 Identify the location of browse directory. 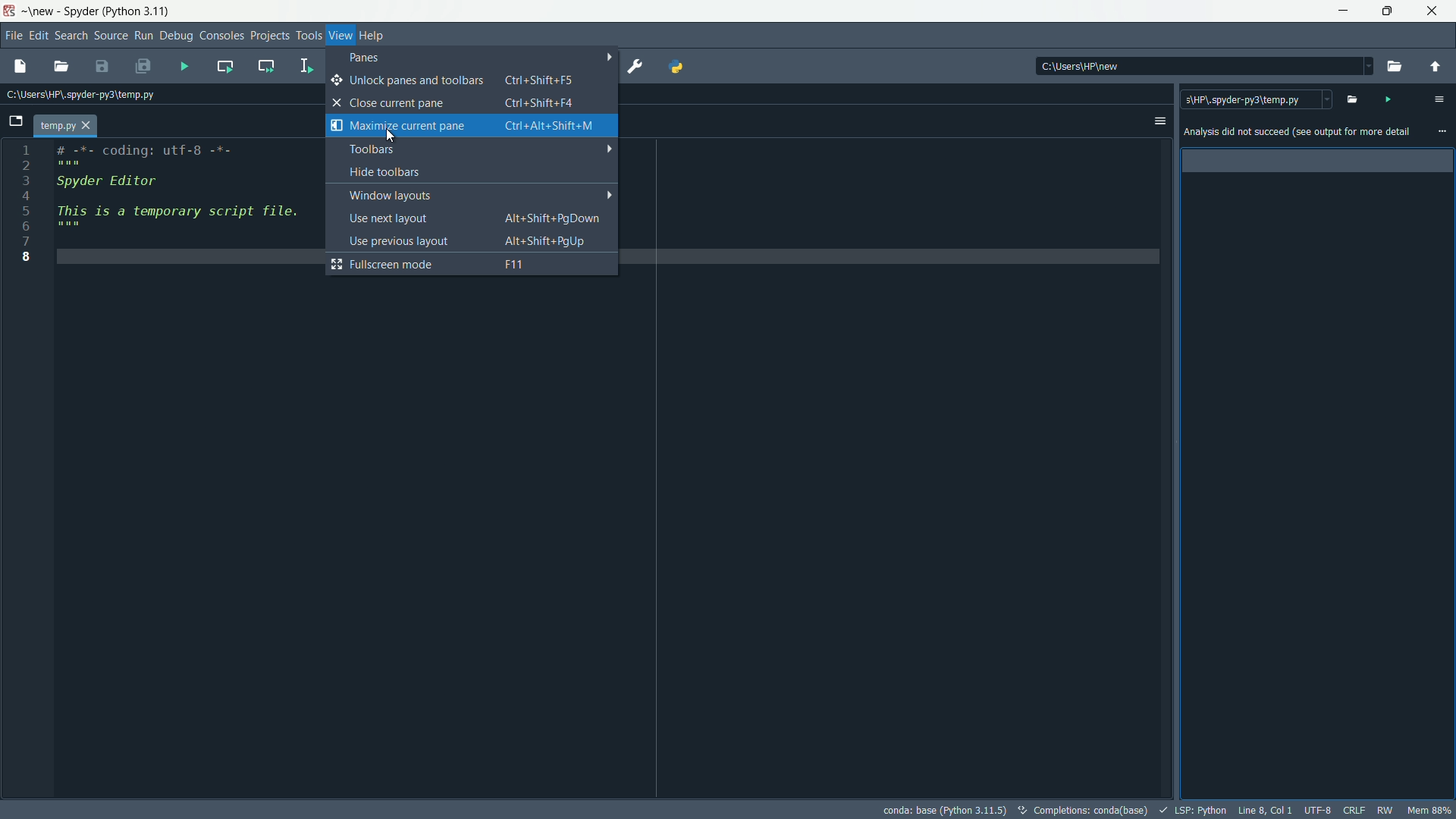
(1396, 67).